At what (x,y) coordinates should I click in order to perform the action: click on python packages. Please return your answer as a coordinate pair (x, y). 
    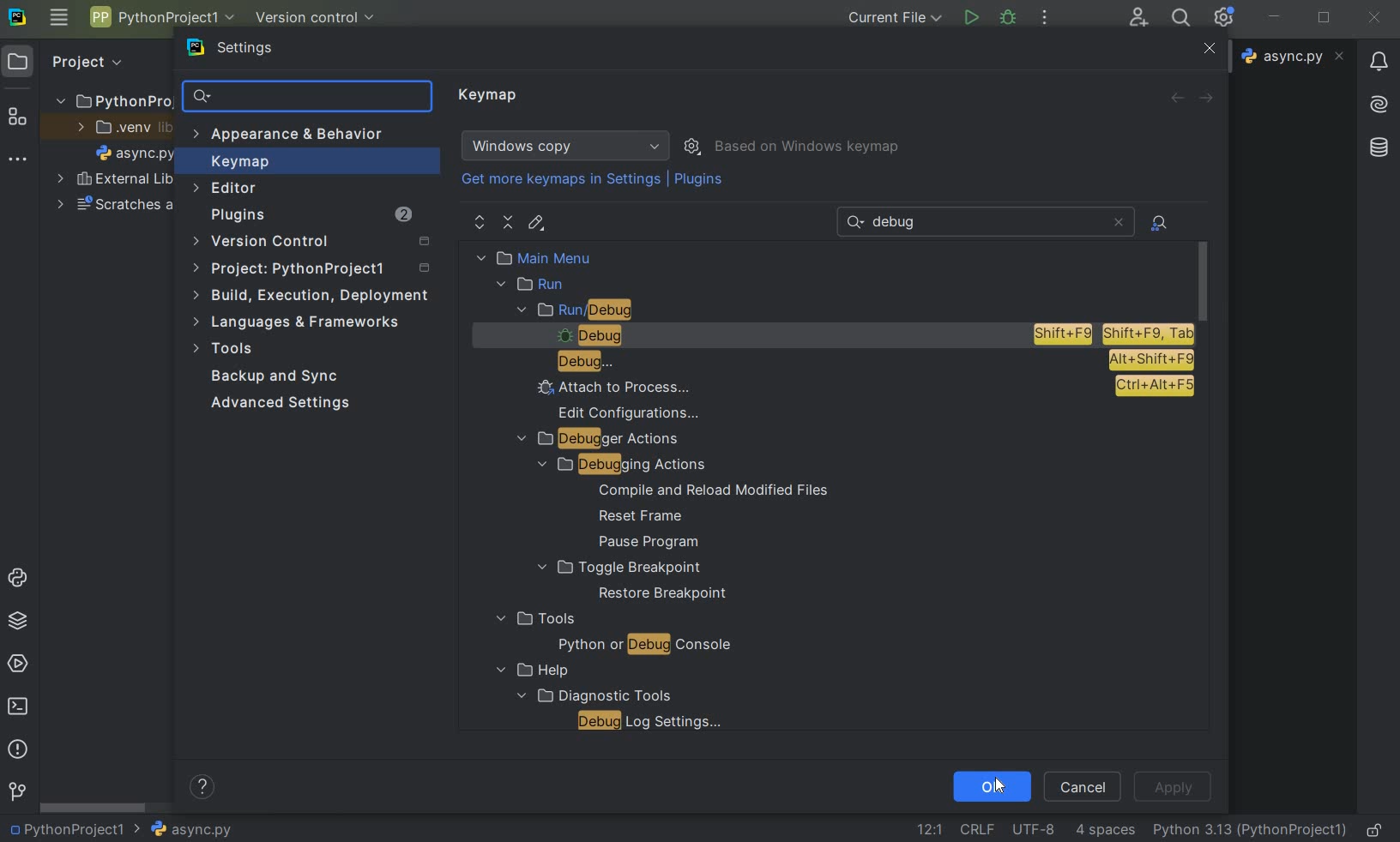
    Looking at the image, I should click on (21, 621).